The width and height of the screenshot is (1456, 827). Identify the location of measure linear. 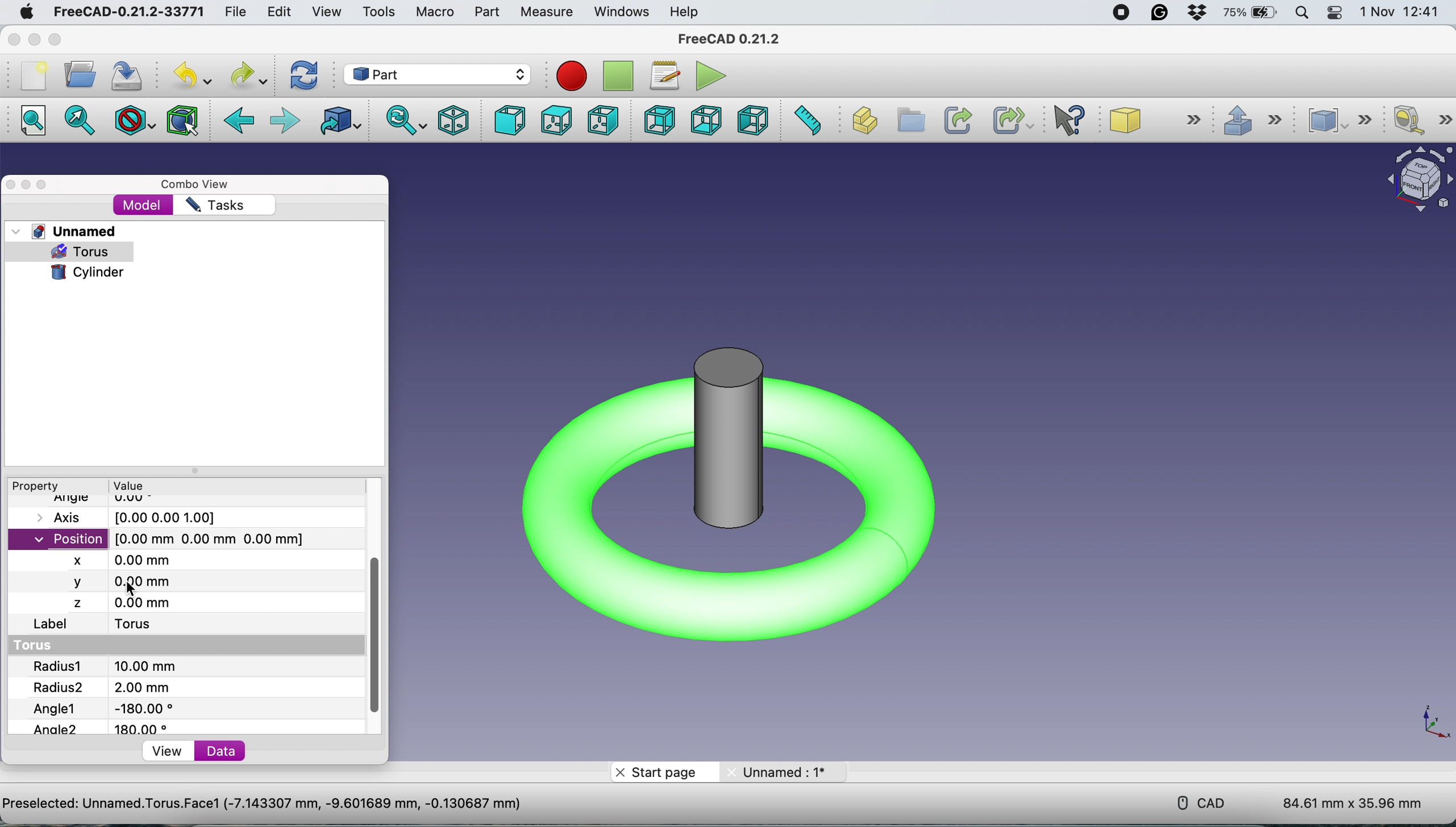
(1421, 120).